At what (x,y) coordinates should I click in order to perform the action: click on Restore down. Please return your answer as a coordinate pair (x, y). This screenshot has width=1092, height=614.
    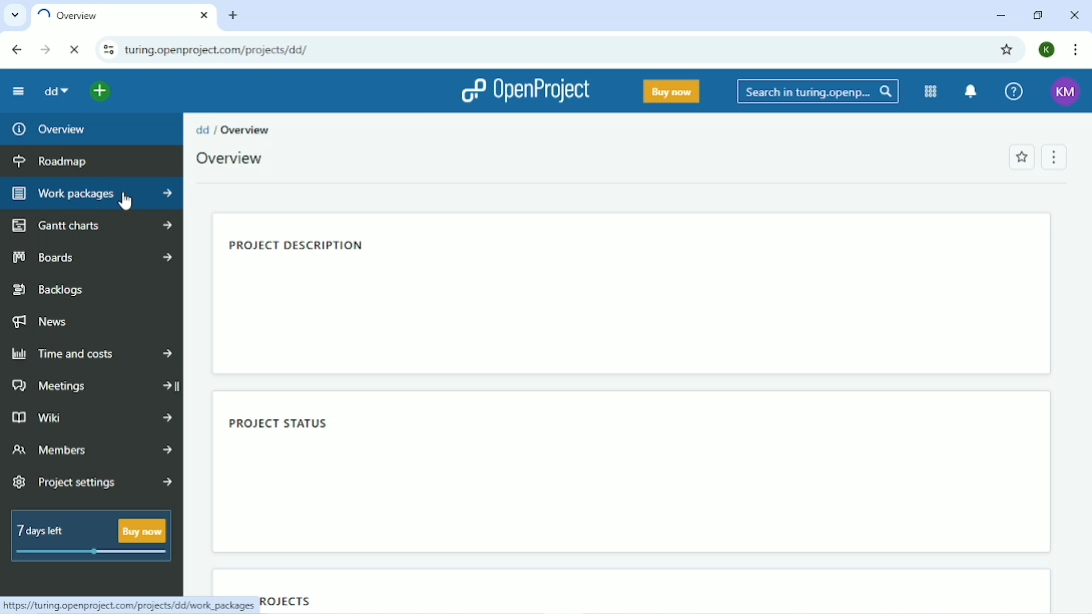
    Looking at the image, I should click on (1035, 15).